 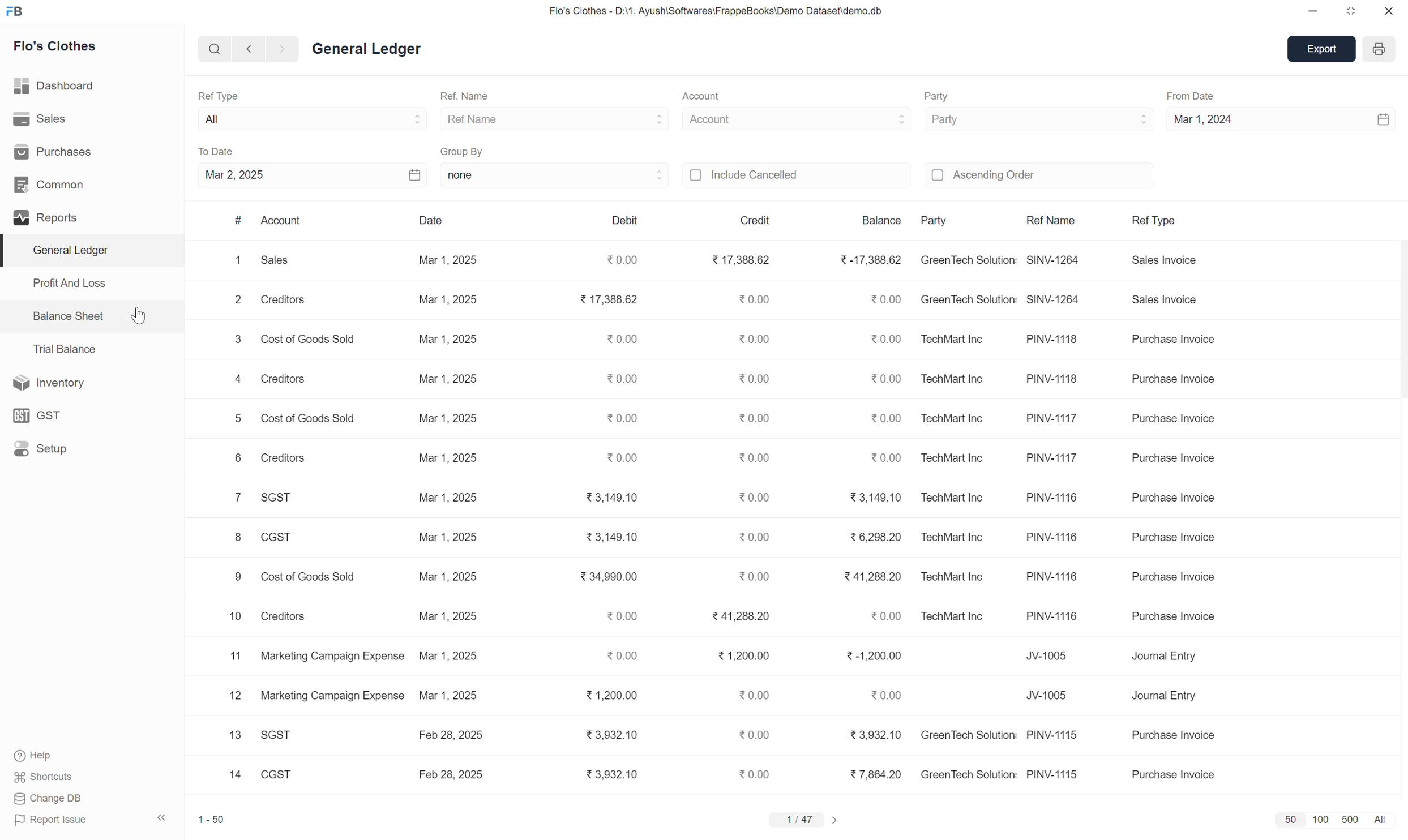 What do you see at coordinates (46, 777) in the screenshot?
I see `Shortcuts` at bounding box center [46, 777].